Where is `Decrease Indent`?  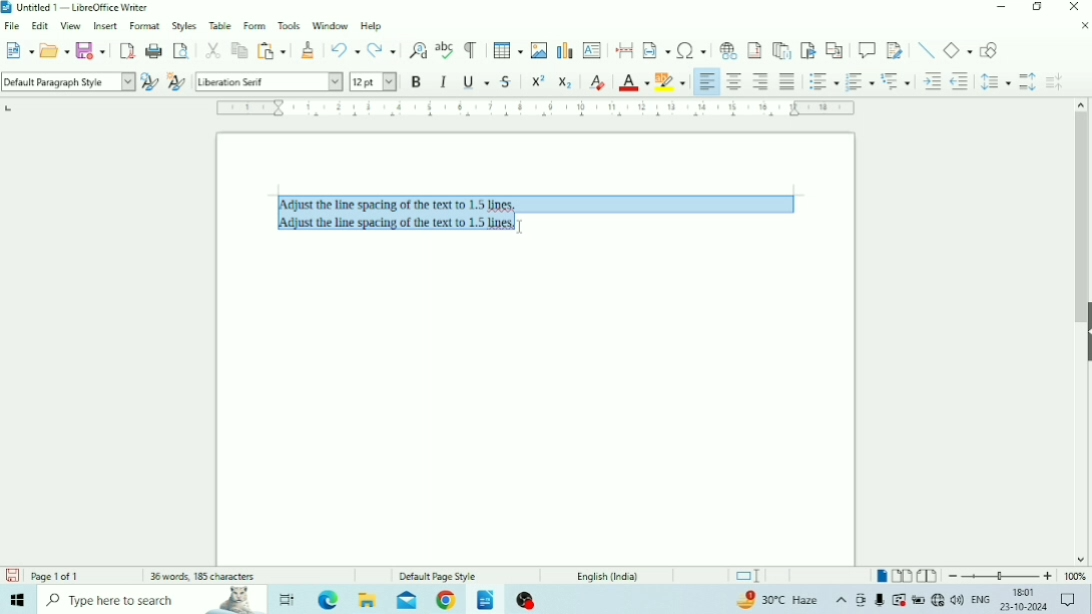 Decrease Indent is located at coordinates (960, 81).